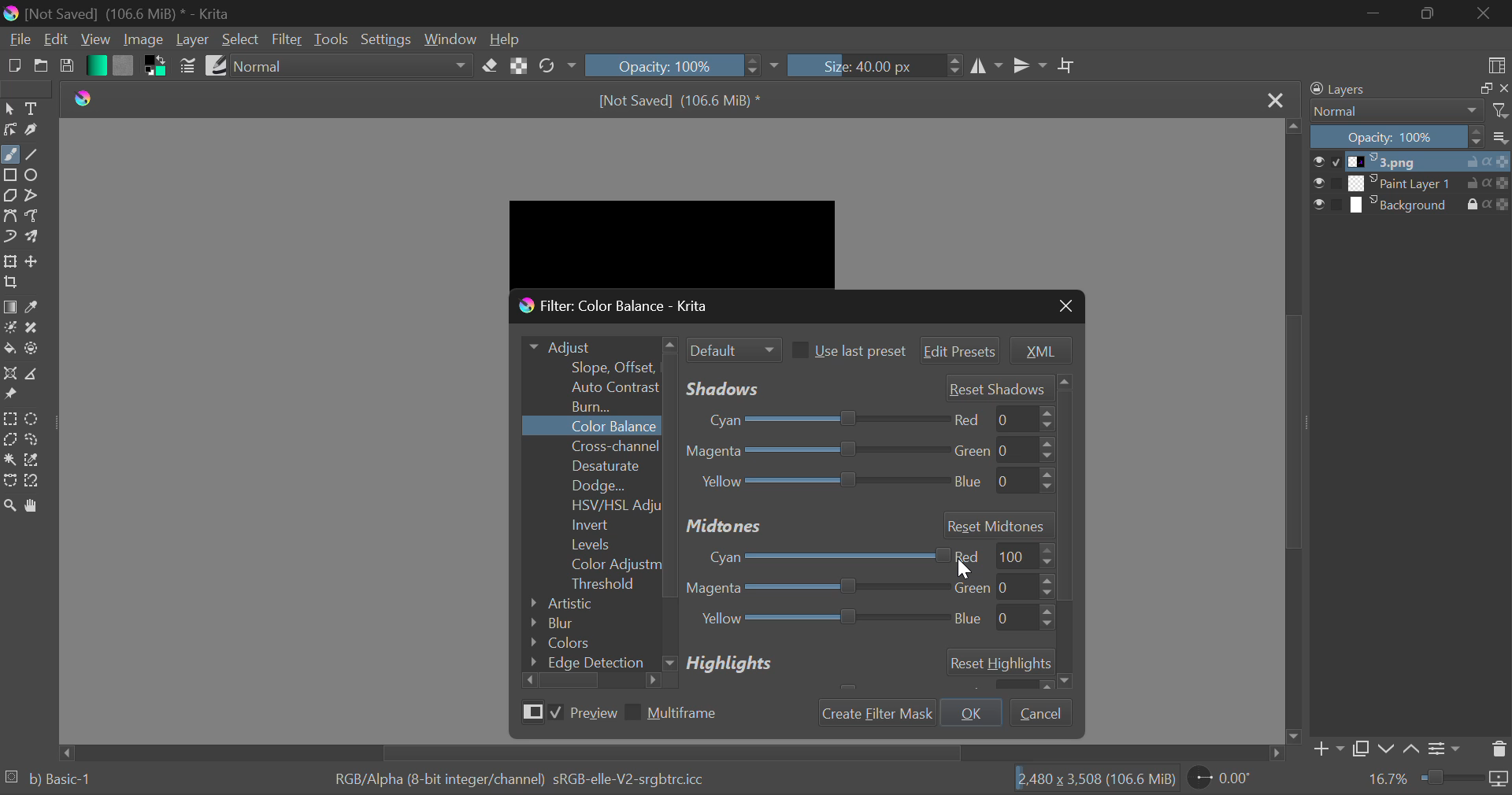 This screenshot has height=795, width=1512. Describe the element at coordinates (10, 130) in the screenshot. I see `Edit Shapes` at that location.